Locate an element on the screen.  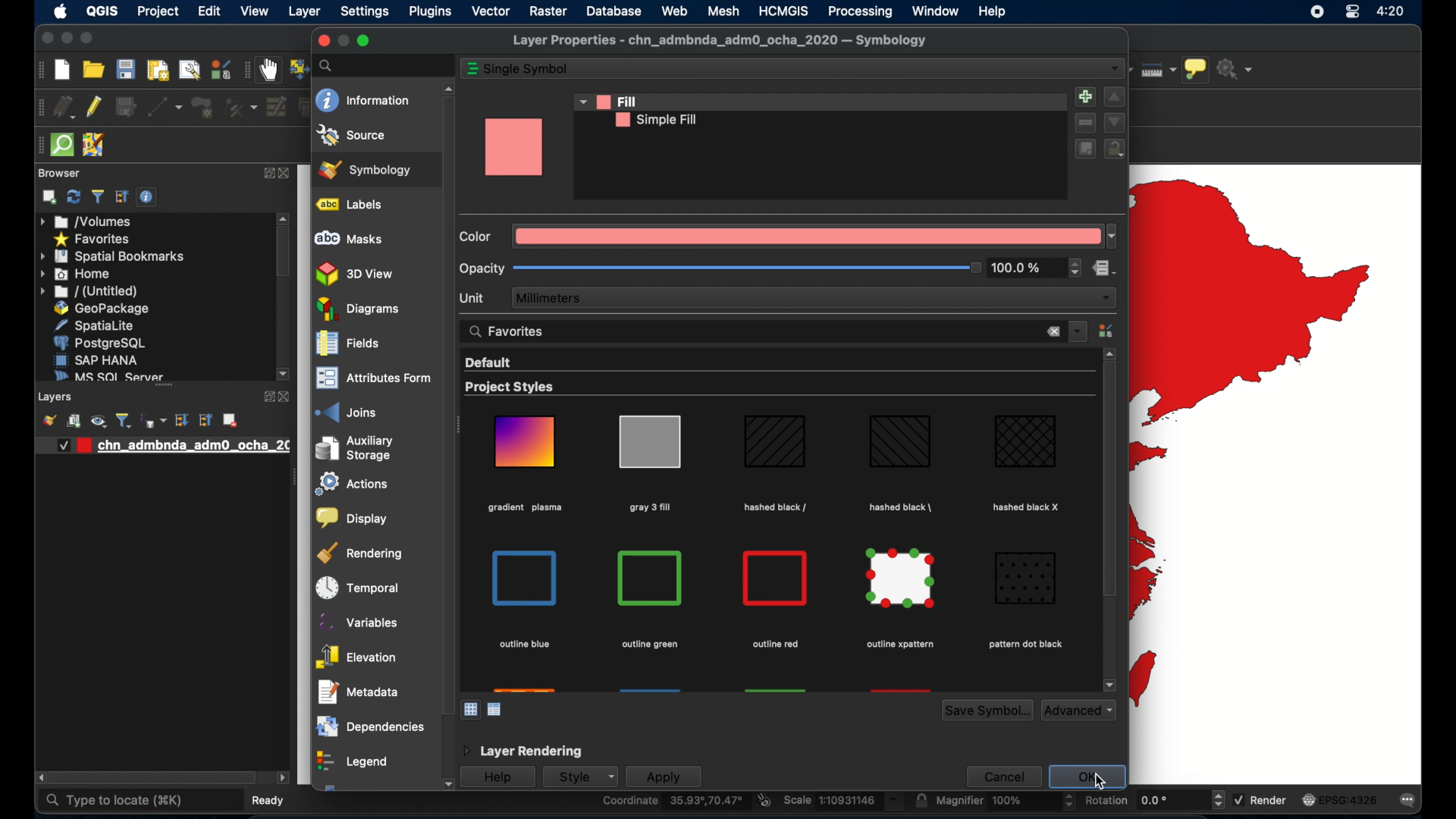
open layout manager is located at coordinates (188, 71).